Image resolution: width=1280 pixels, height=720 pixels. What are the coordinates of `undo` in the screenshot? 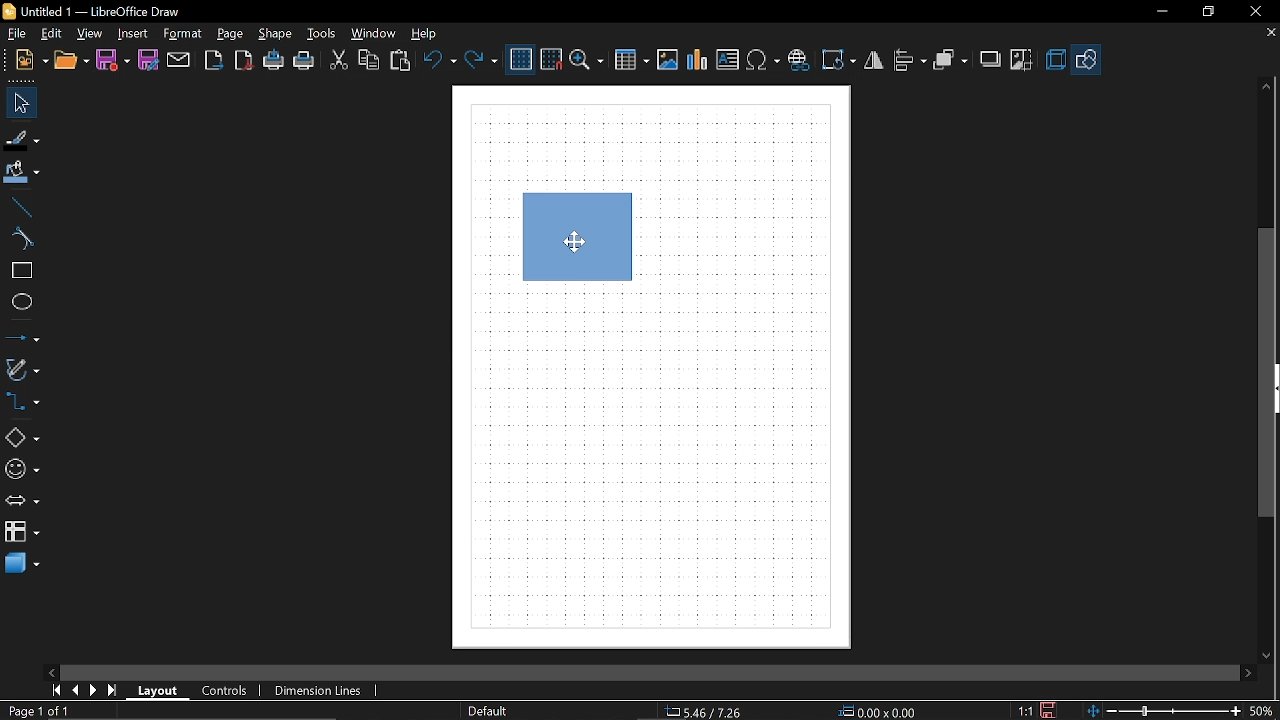 It's located at (439, 60).